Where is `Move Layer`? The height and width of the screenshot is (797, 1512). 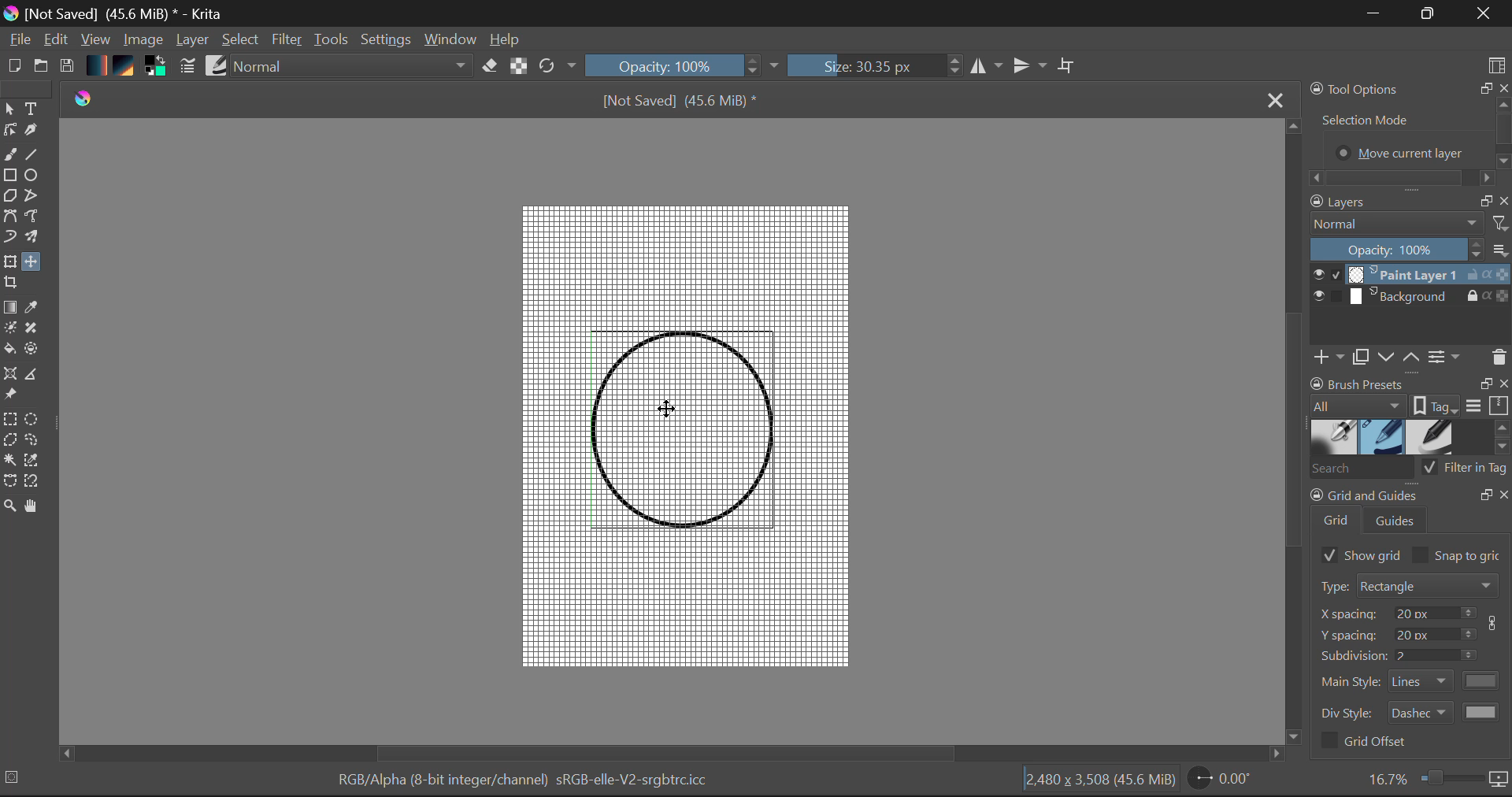
Move Layer is located at coordinates (34, 262).